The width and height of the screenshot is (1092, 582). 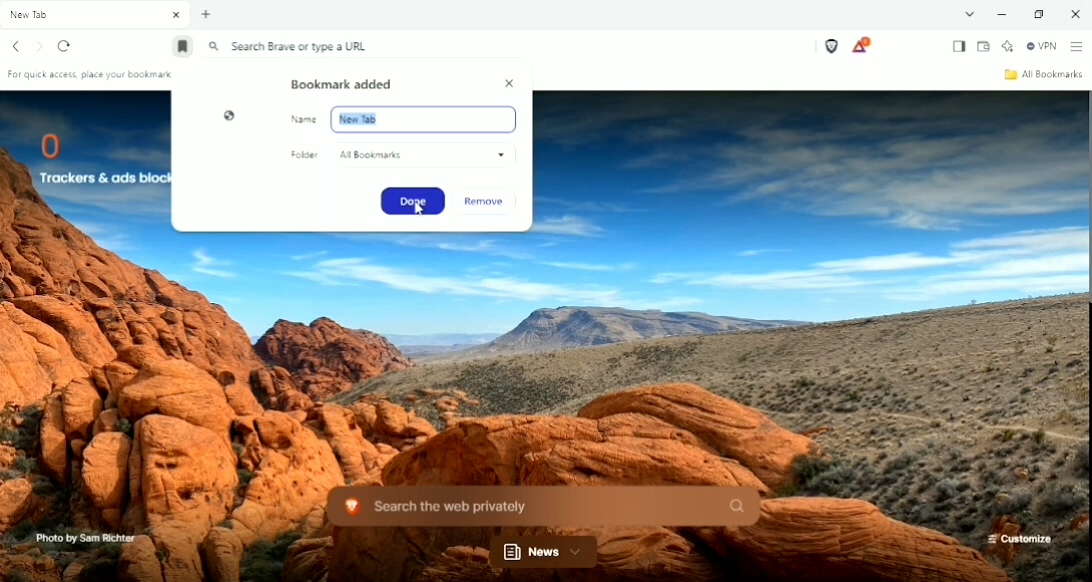 What do you see at coordinates (1042, 14) in the screenshot?
I see `Restore down` at bounding box center [1042, 14].